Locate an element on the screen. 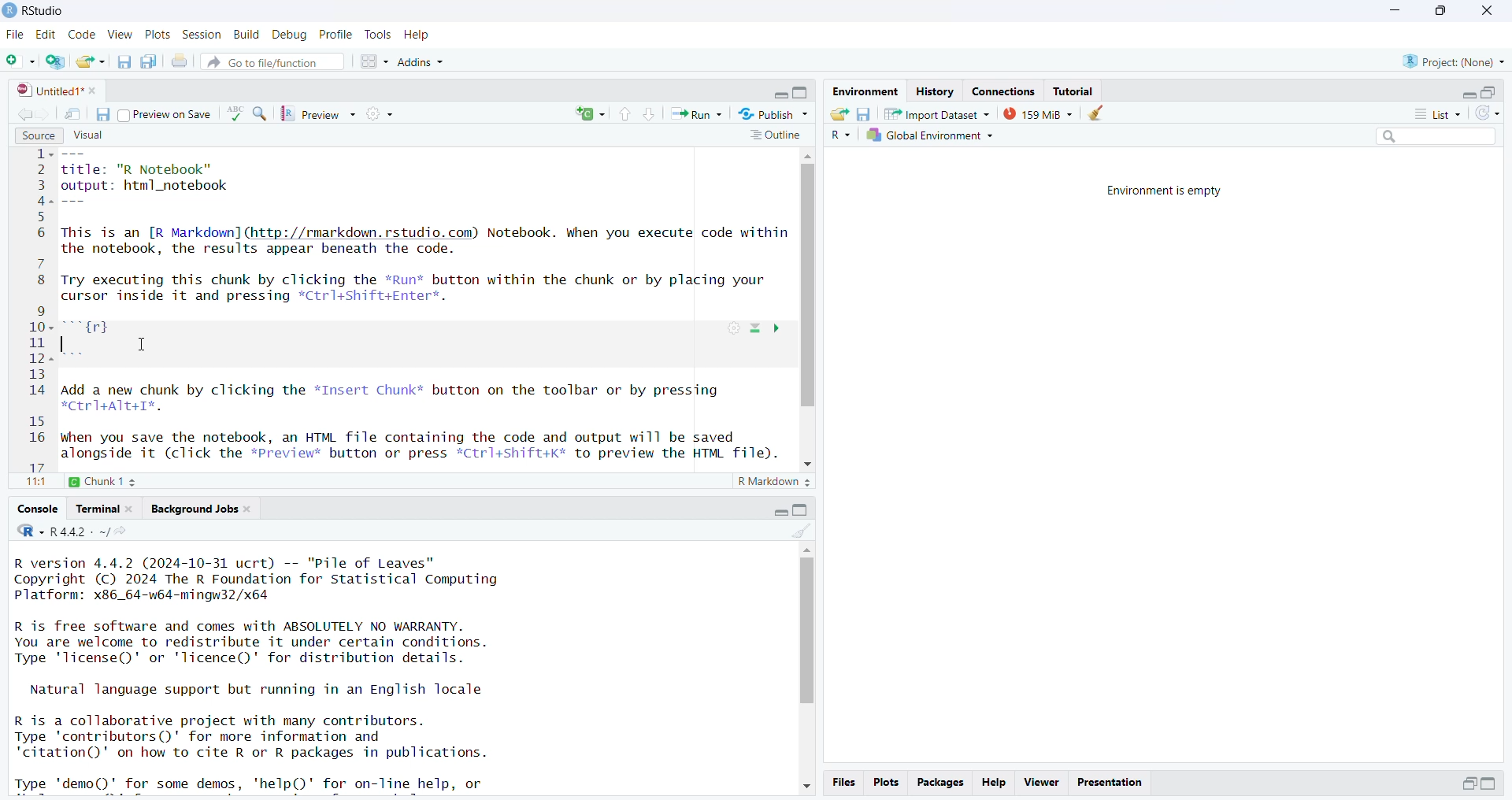 Image resolution: width=1512 pixels, height=800 pixels. minimize is located at coordinates (1395, 12).